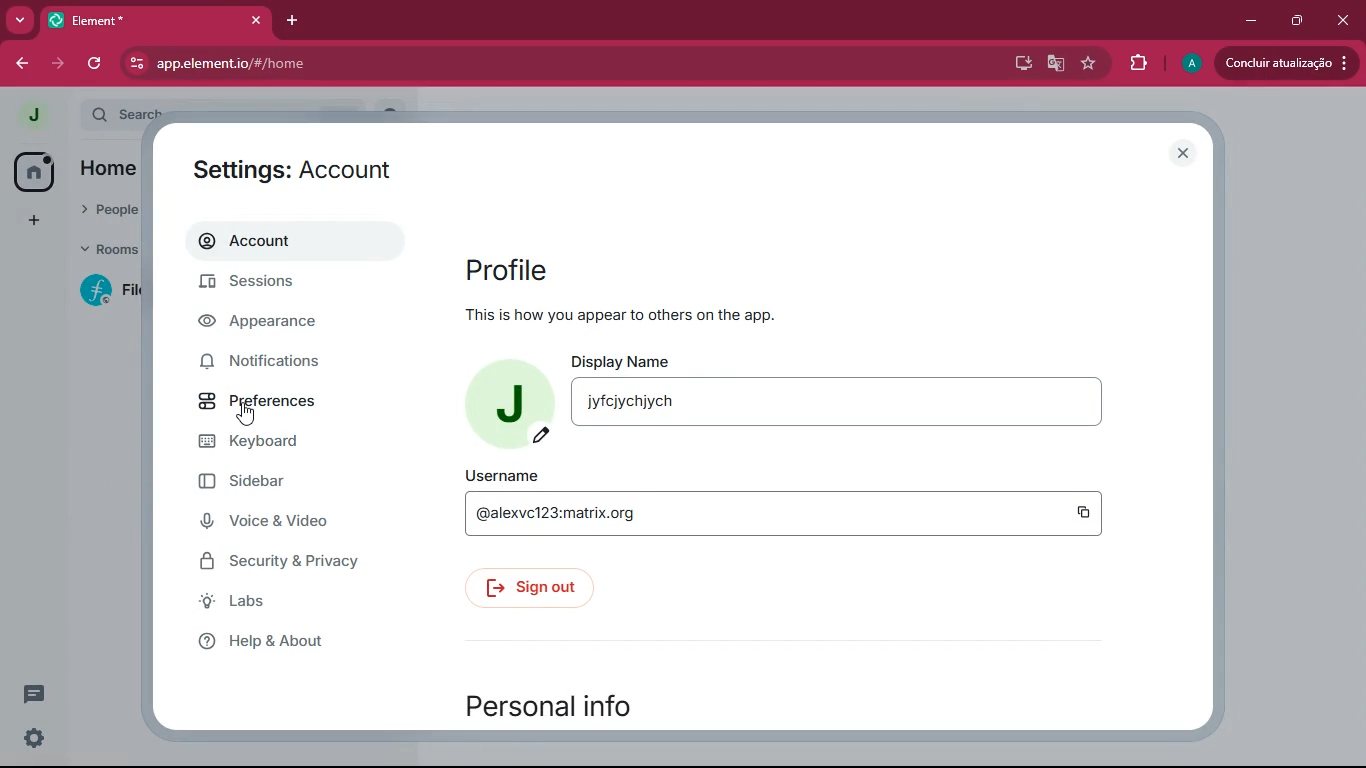 The height and width of the screenshot is (768, 1366). I want to click on profile picture, so click(34, 114).